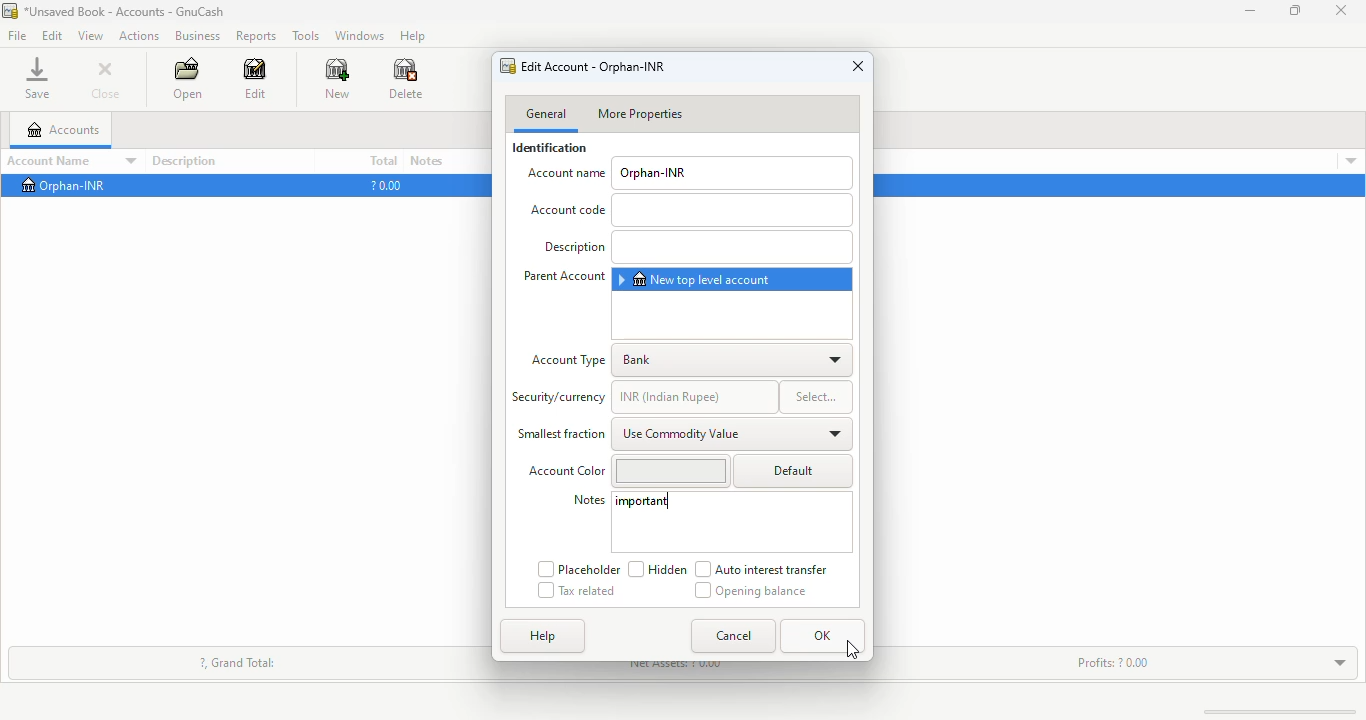  I want to click on tax related, so click(577, 591).